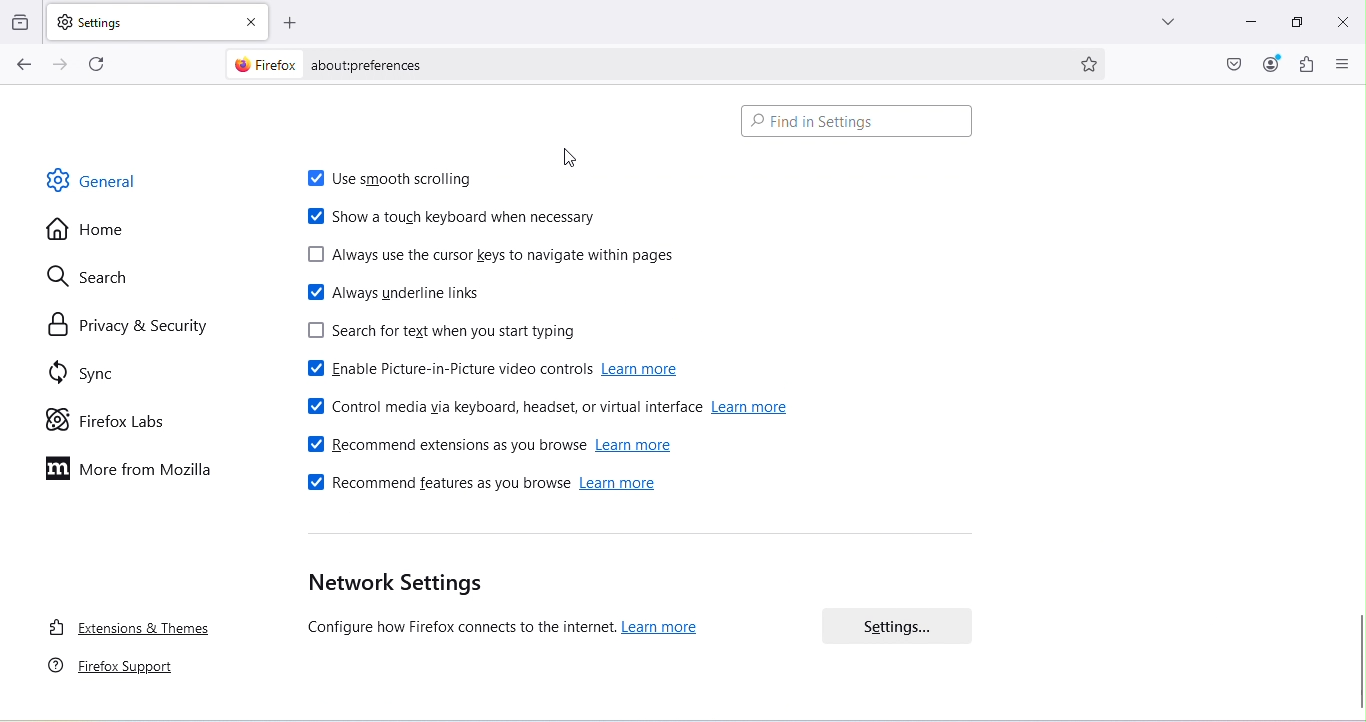 This screenshot has height=722, width=1366. I want to click on Account, so click(1271, 65).